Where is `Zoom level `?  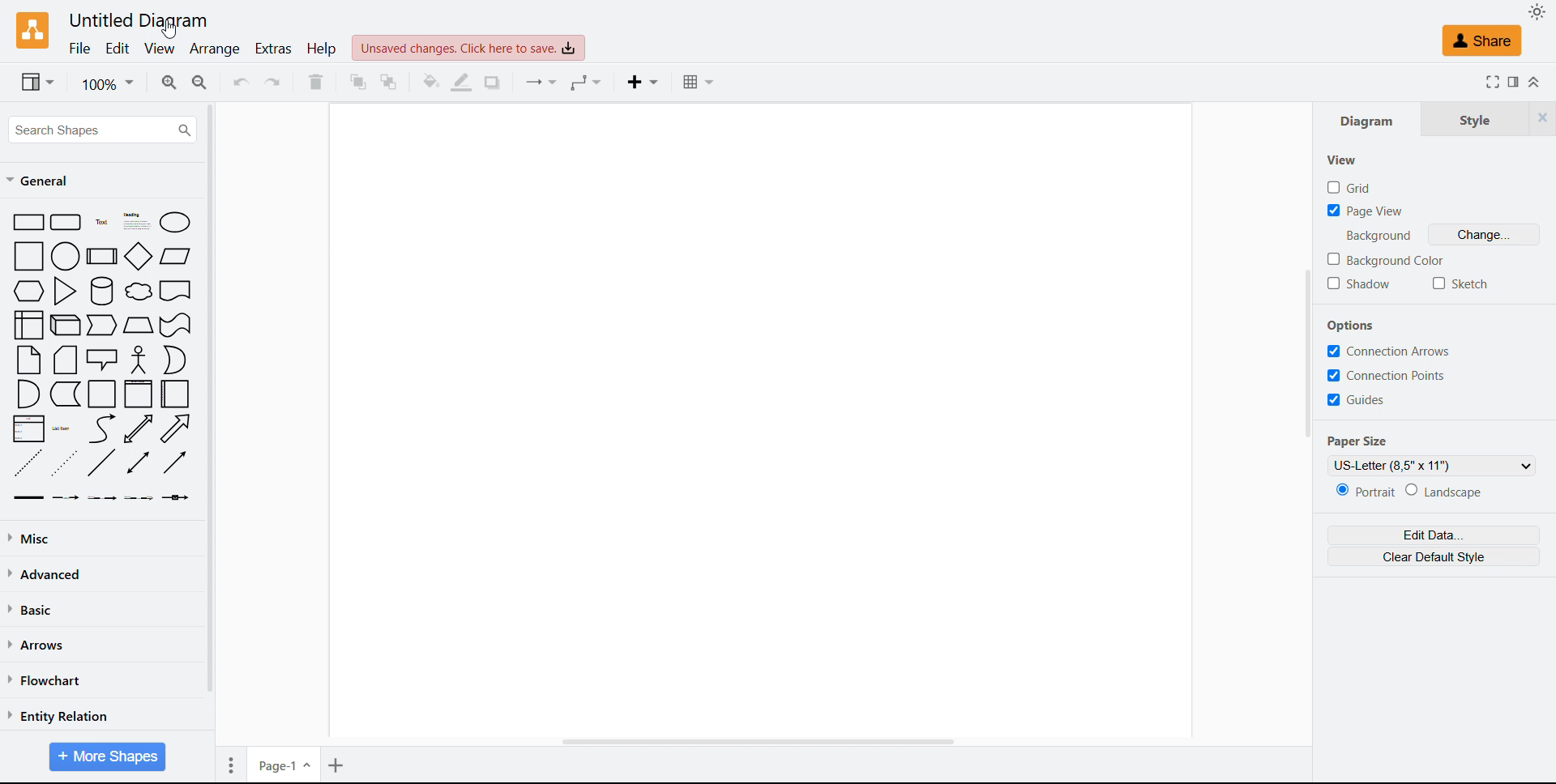
Zoom level  is located at coordinates (109, 83).